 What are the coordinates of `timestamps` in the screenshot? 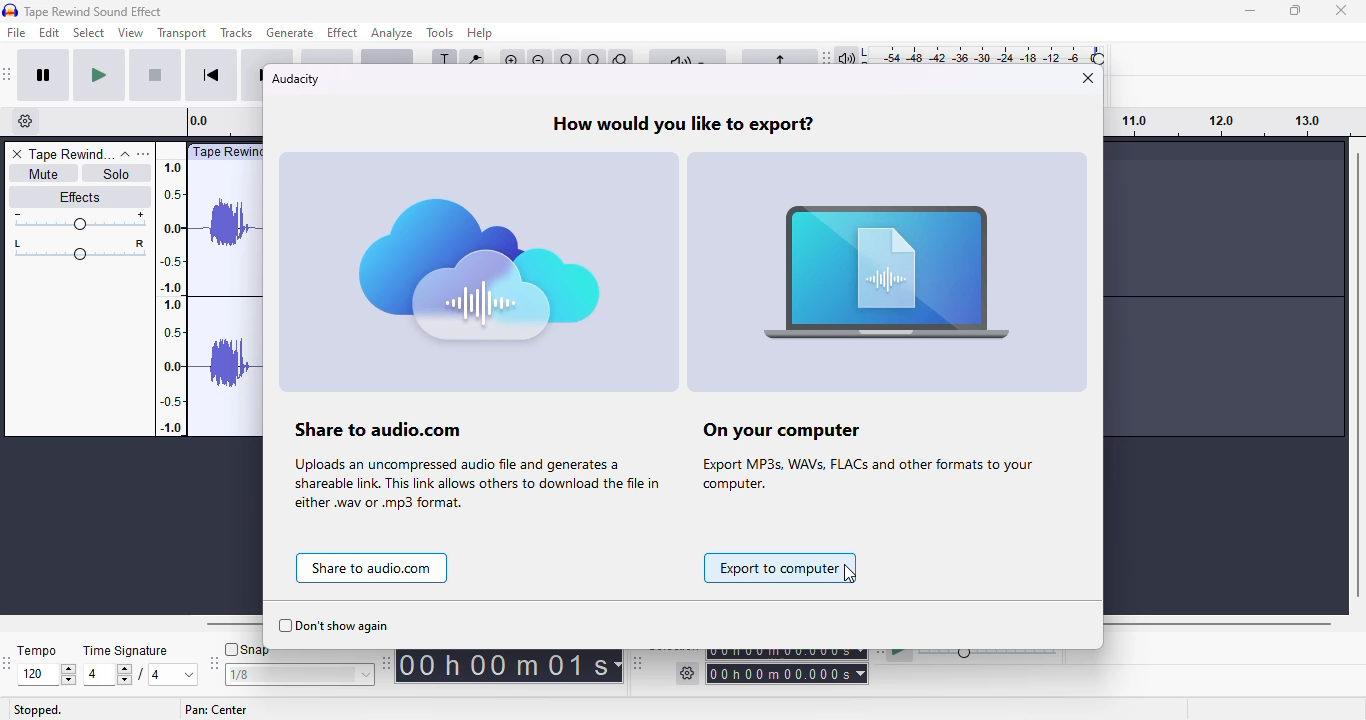 It's located at (1219, 121).